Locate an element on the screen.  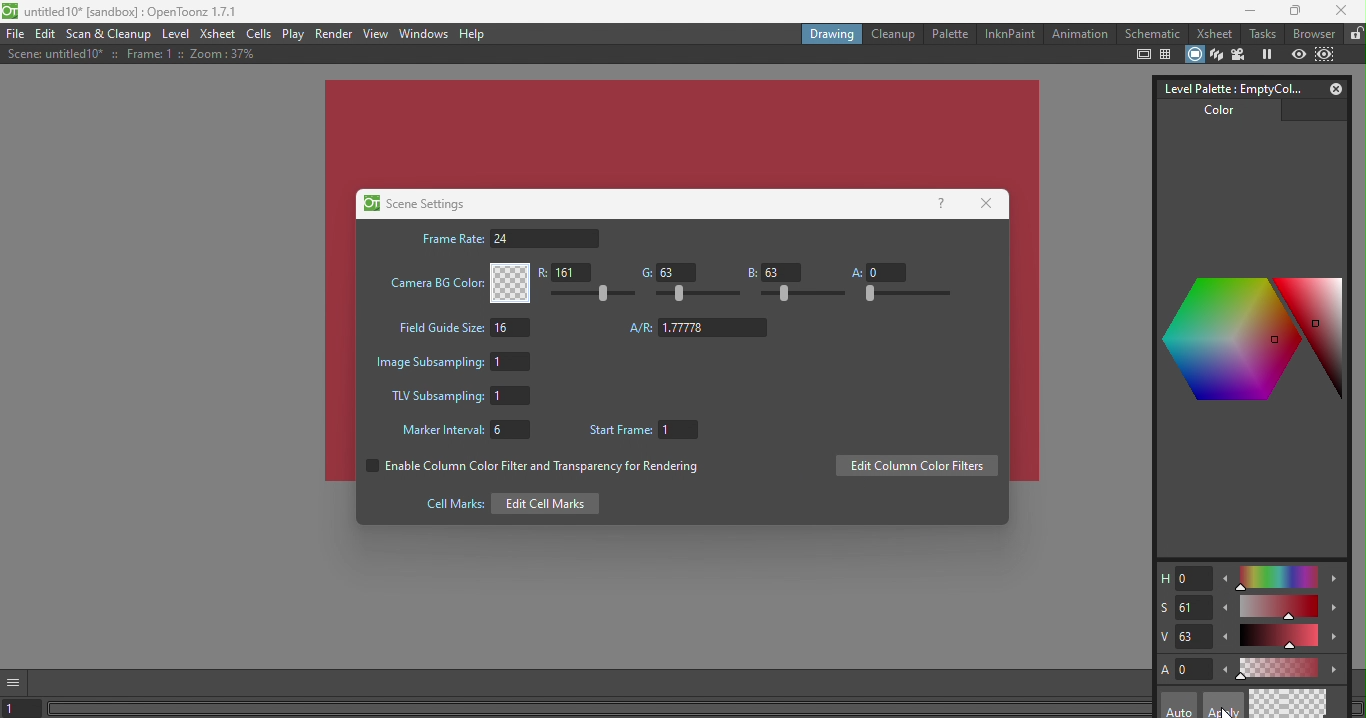
R is located at coordinates (569, 274).